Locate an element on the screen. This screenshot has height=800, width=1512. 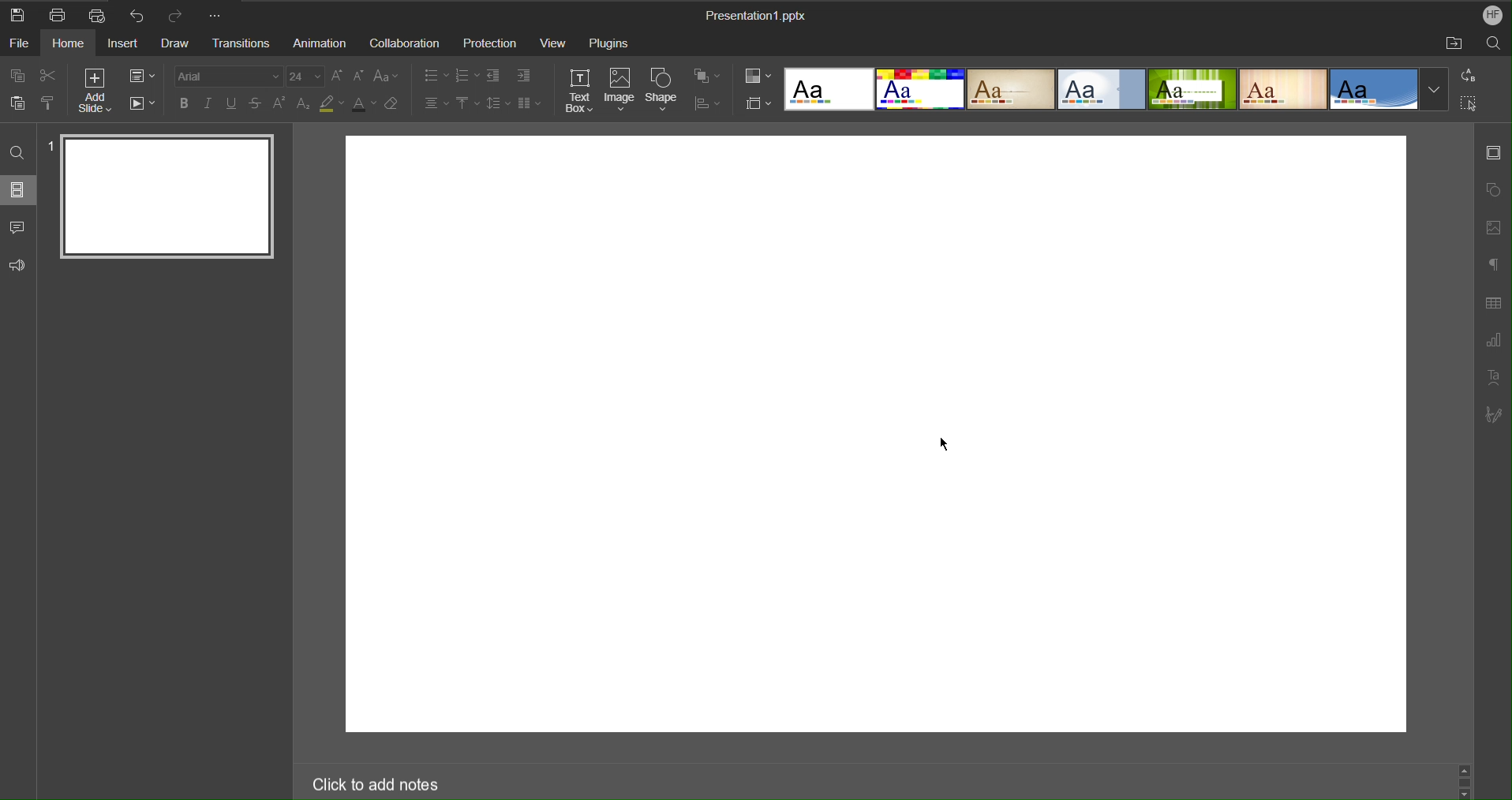
Save is located at coordinates (17, 14).